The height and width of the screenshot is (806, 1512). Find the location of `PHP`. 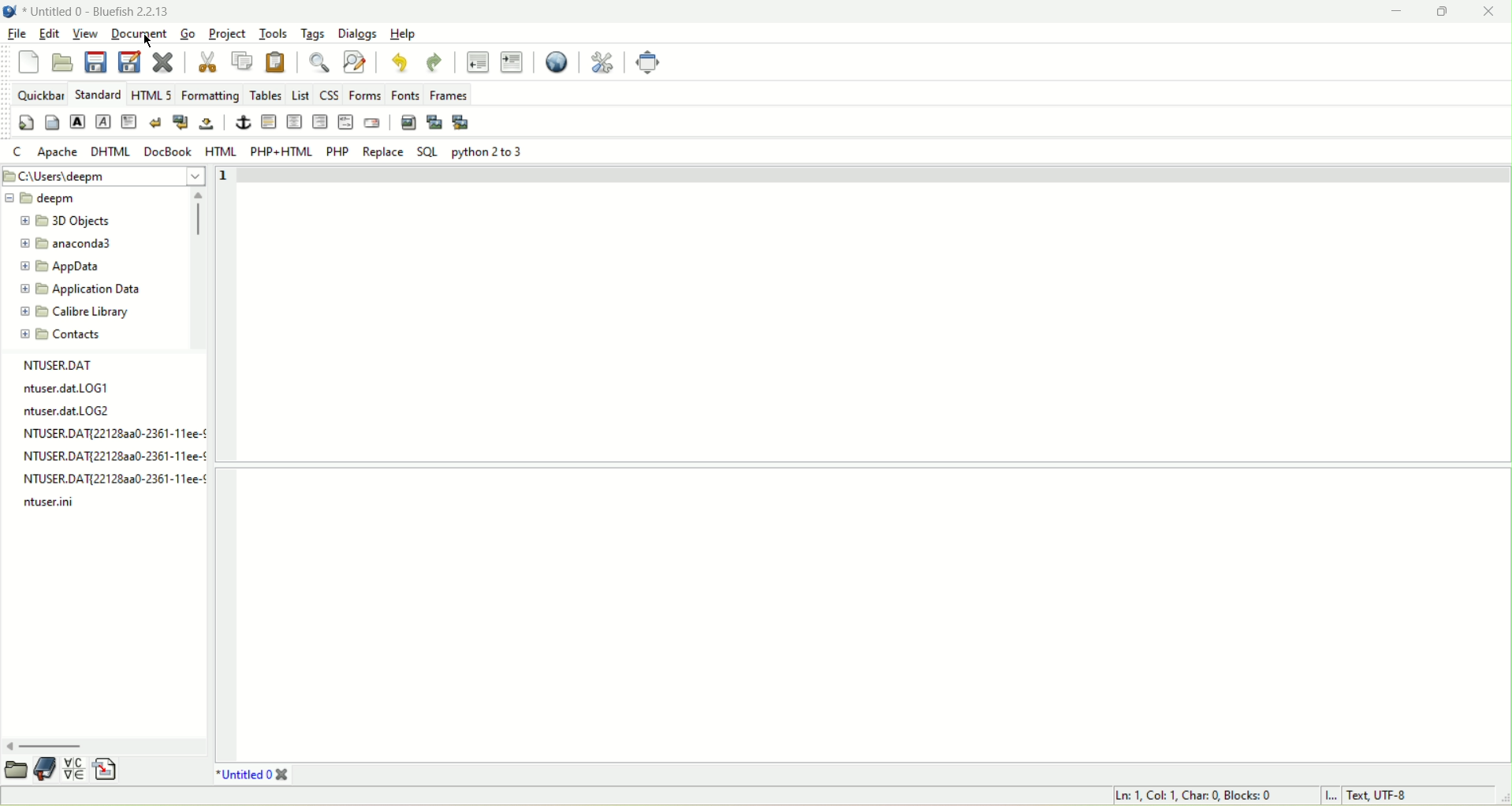

PHP is located at coordinates (339, 153).